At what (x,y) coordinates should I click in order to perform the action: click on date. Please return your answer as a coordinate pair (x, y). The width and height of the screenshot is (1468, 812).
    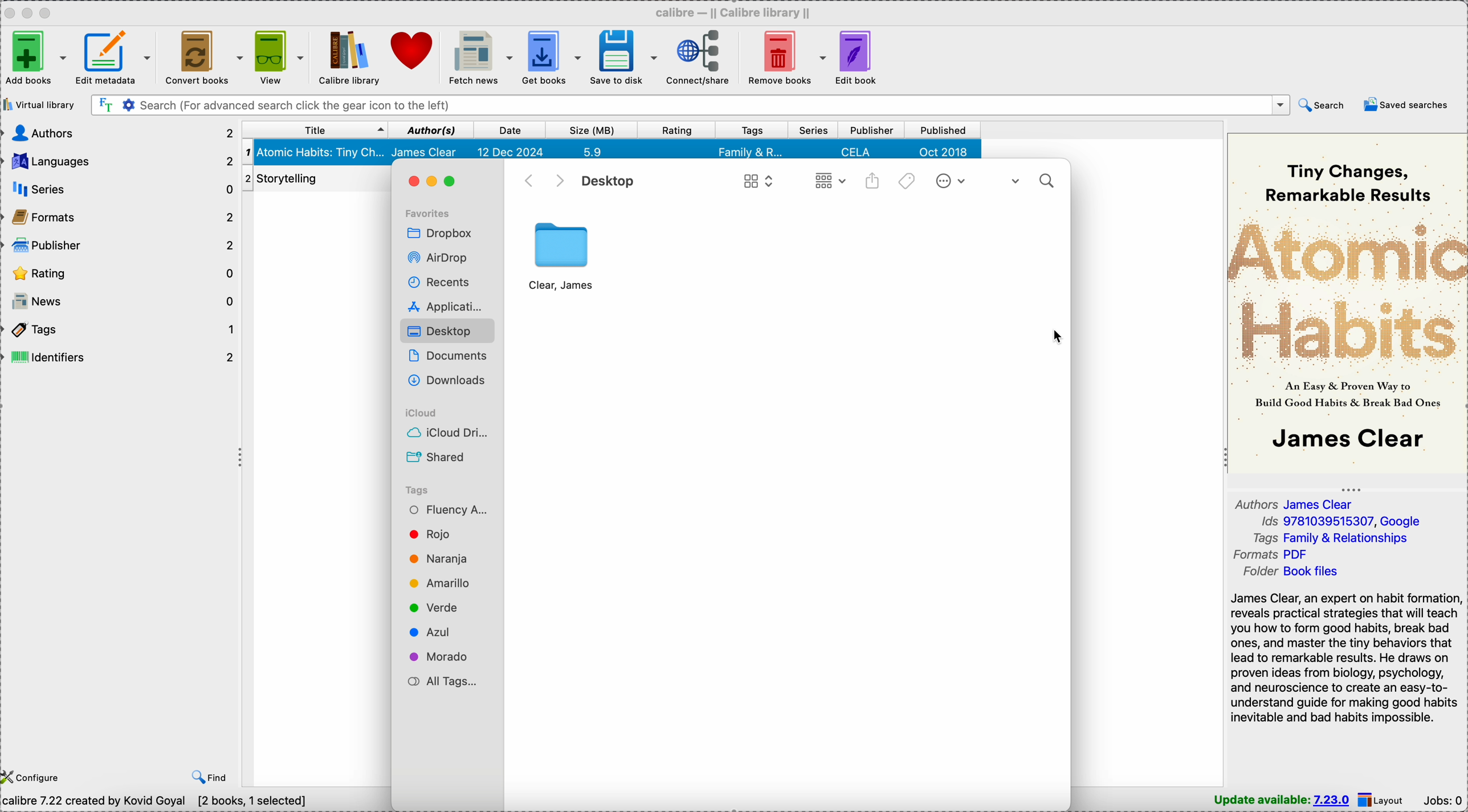
    Looking at the image, I should click on (511, 130).